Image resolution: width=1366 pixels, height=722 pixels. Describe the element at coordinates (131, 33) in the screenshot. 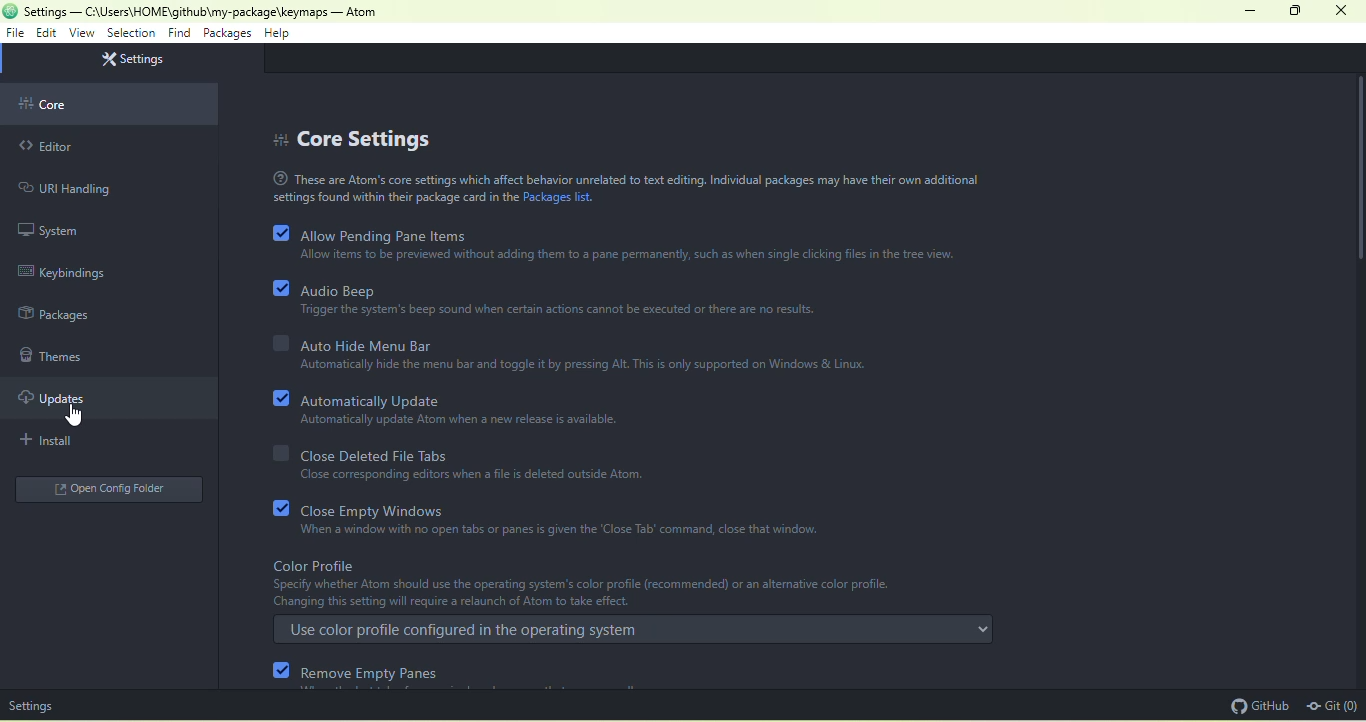

I see `selection` at that location.